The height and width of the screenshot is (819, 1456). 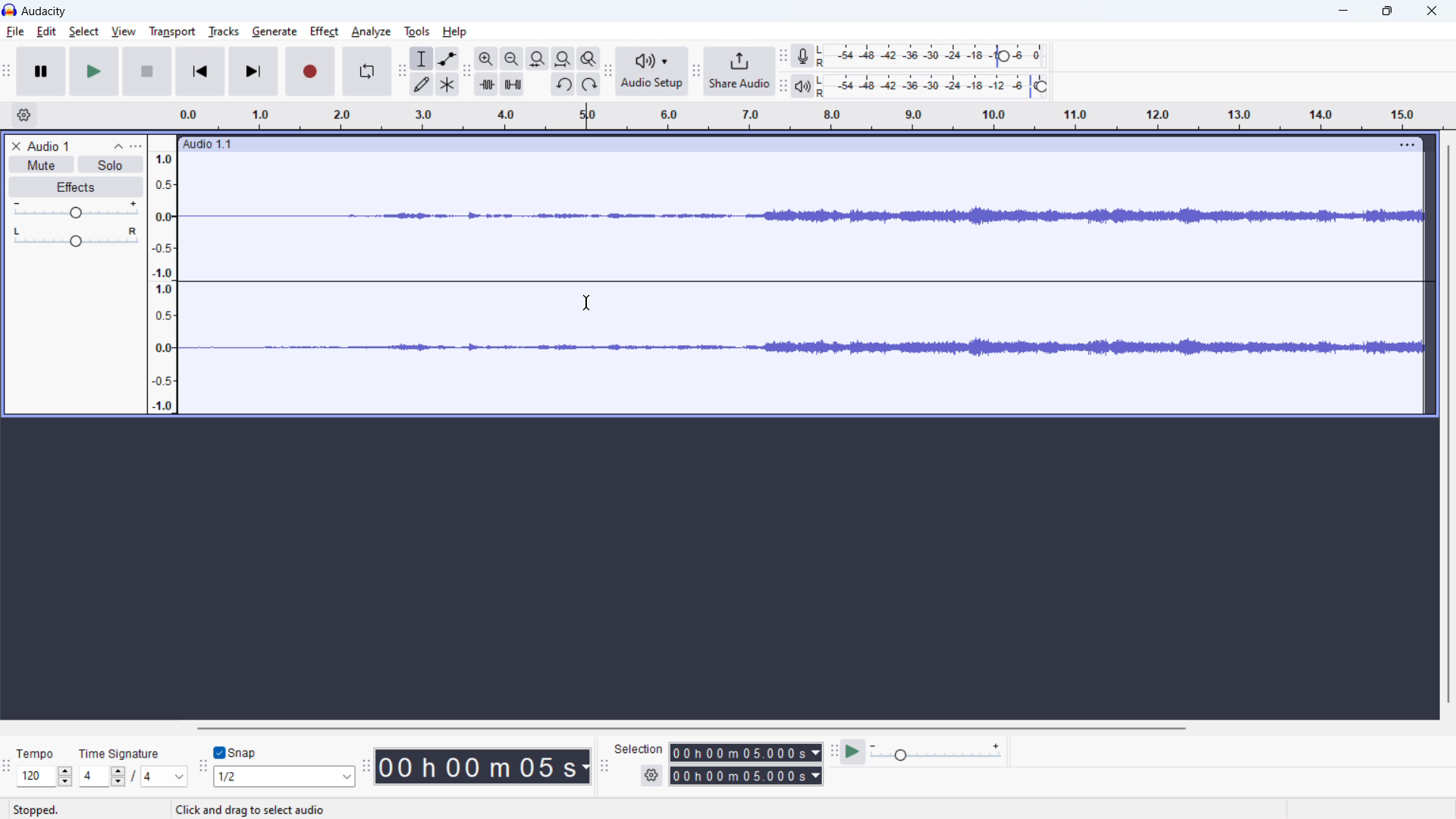 I want to click on play at speed toolbar, so click(x=833, y=752).